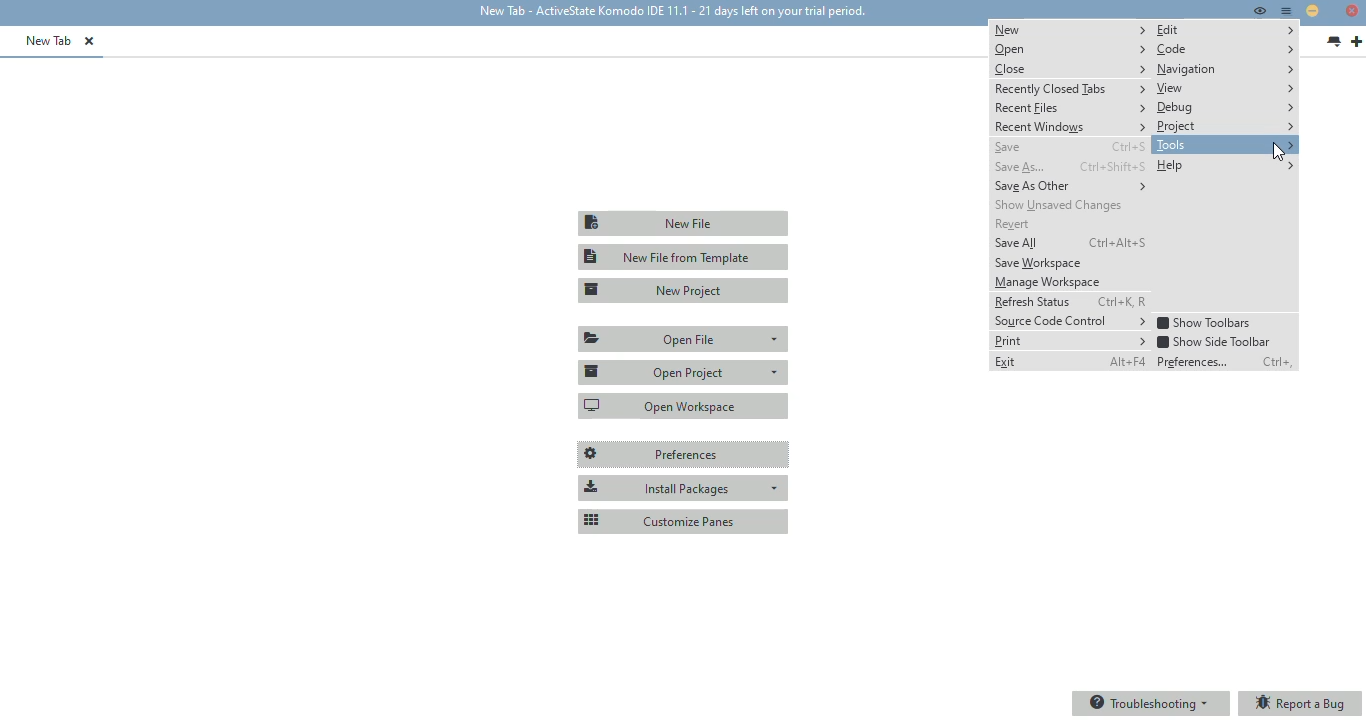 The height and width of the screenshot is (720, 1366). What do you see at coordinates (1048, 282) in the screenshot?
I see `manage workspace` at bounding box center [1048, 282].